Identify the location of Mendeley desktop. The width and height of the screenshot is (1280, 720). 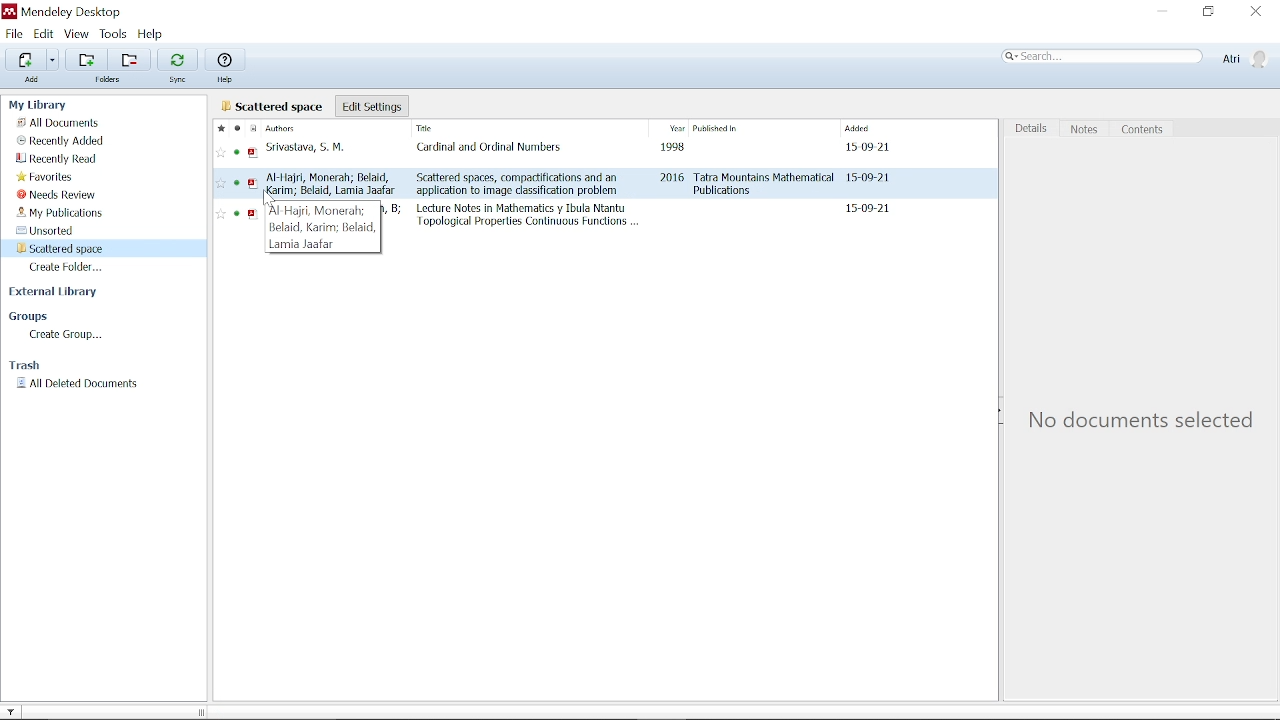
(61, 12).